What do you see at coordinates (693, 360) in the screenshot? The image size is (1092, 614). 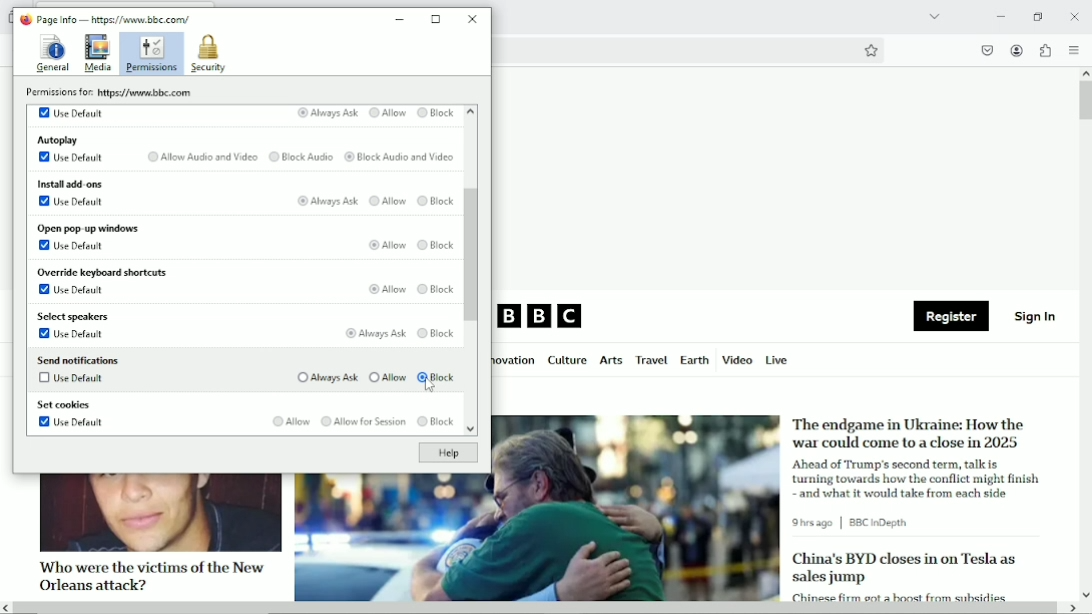 I see `Earth` at bounding box center [693, 360].